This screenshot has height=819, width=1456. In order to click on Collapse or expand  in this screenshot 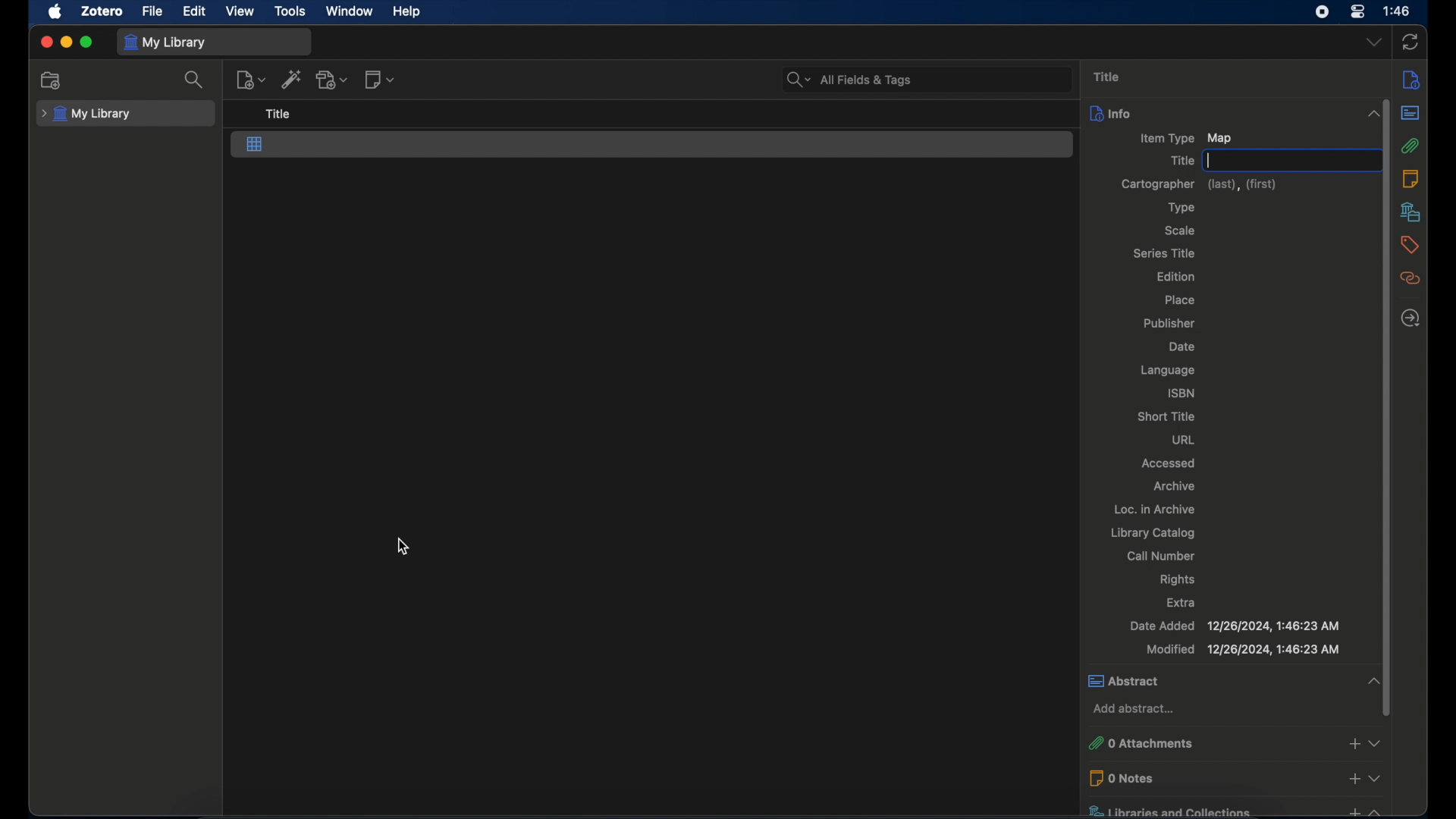, I will do `click(1373, 115)`.